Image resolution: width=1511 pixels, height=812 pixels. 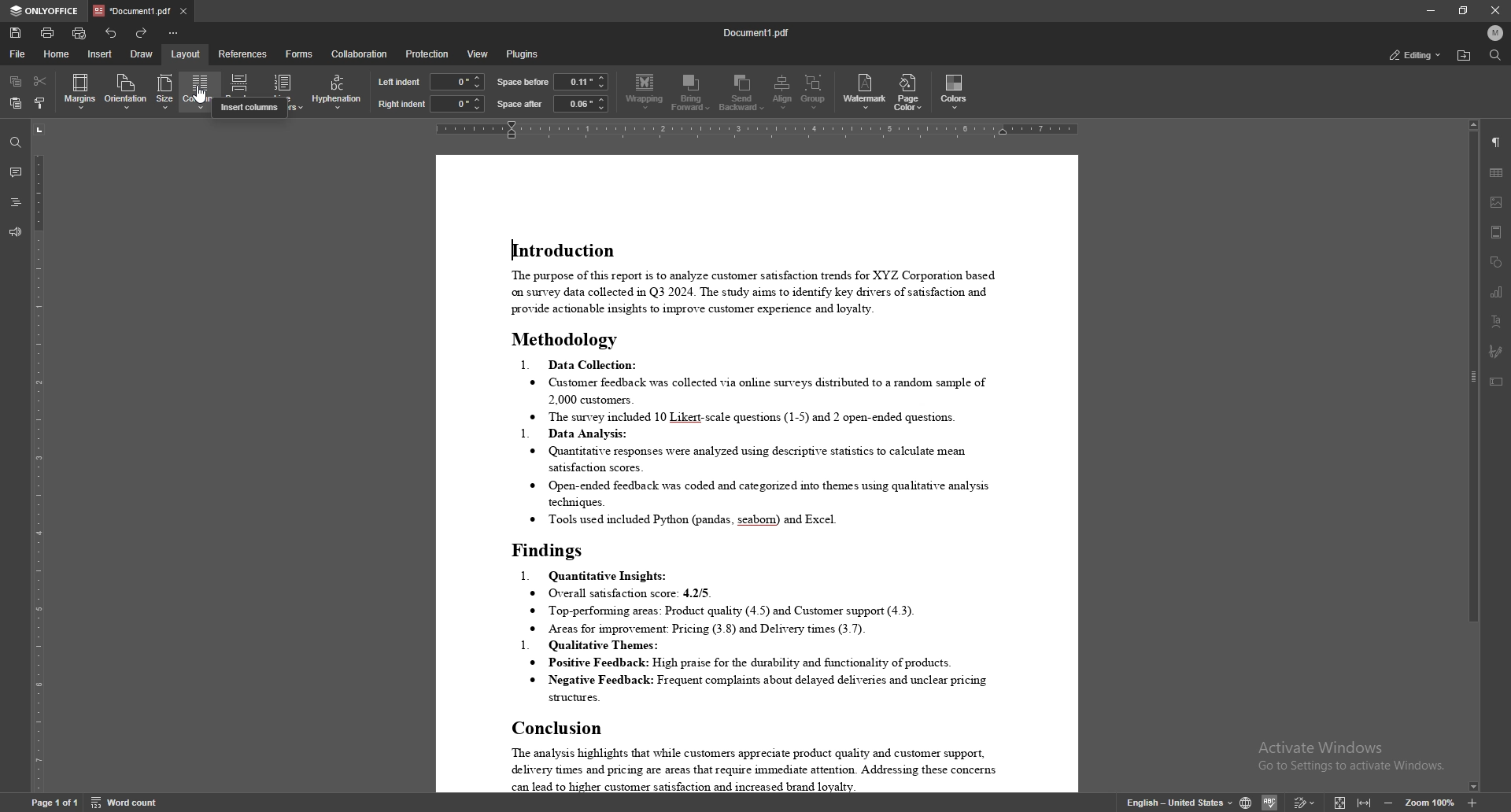 I want to click on copy style, so click(x=39, y=103).